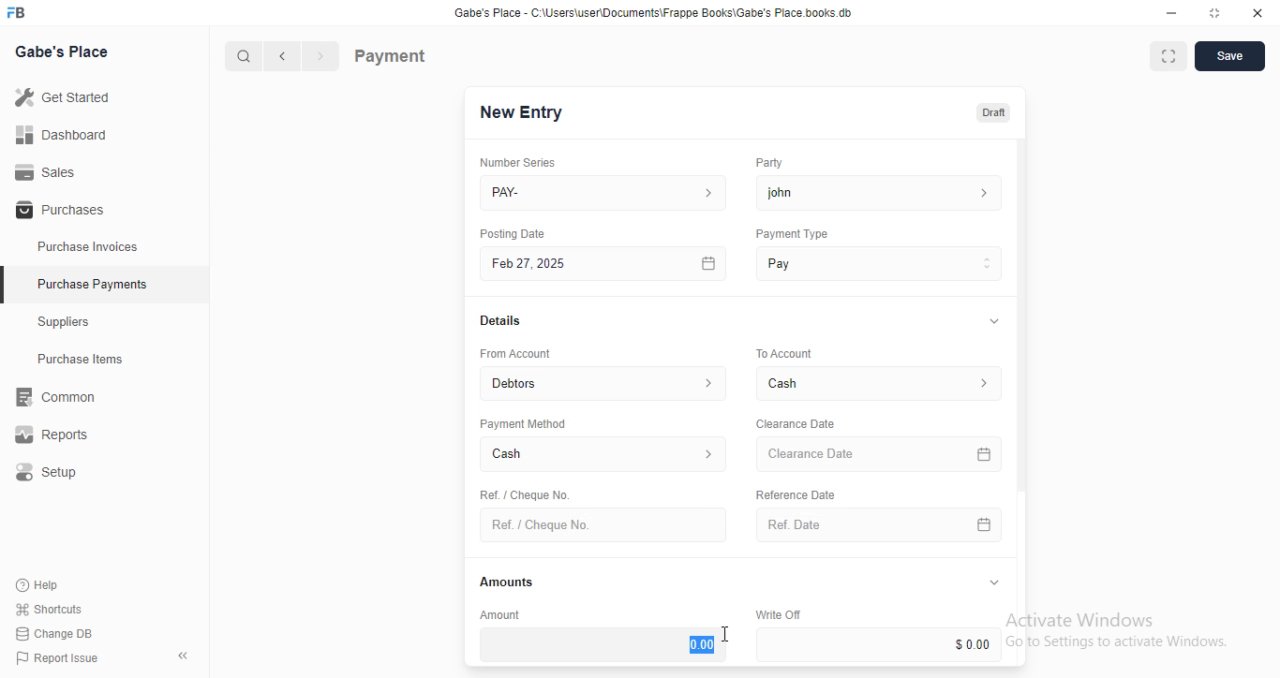 The image size is (1280, 678). I want to click on Amounts, so click(502, 582).